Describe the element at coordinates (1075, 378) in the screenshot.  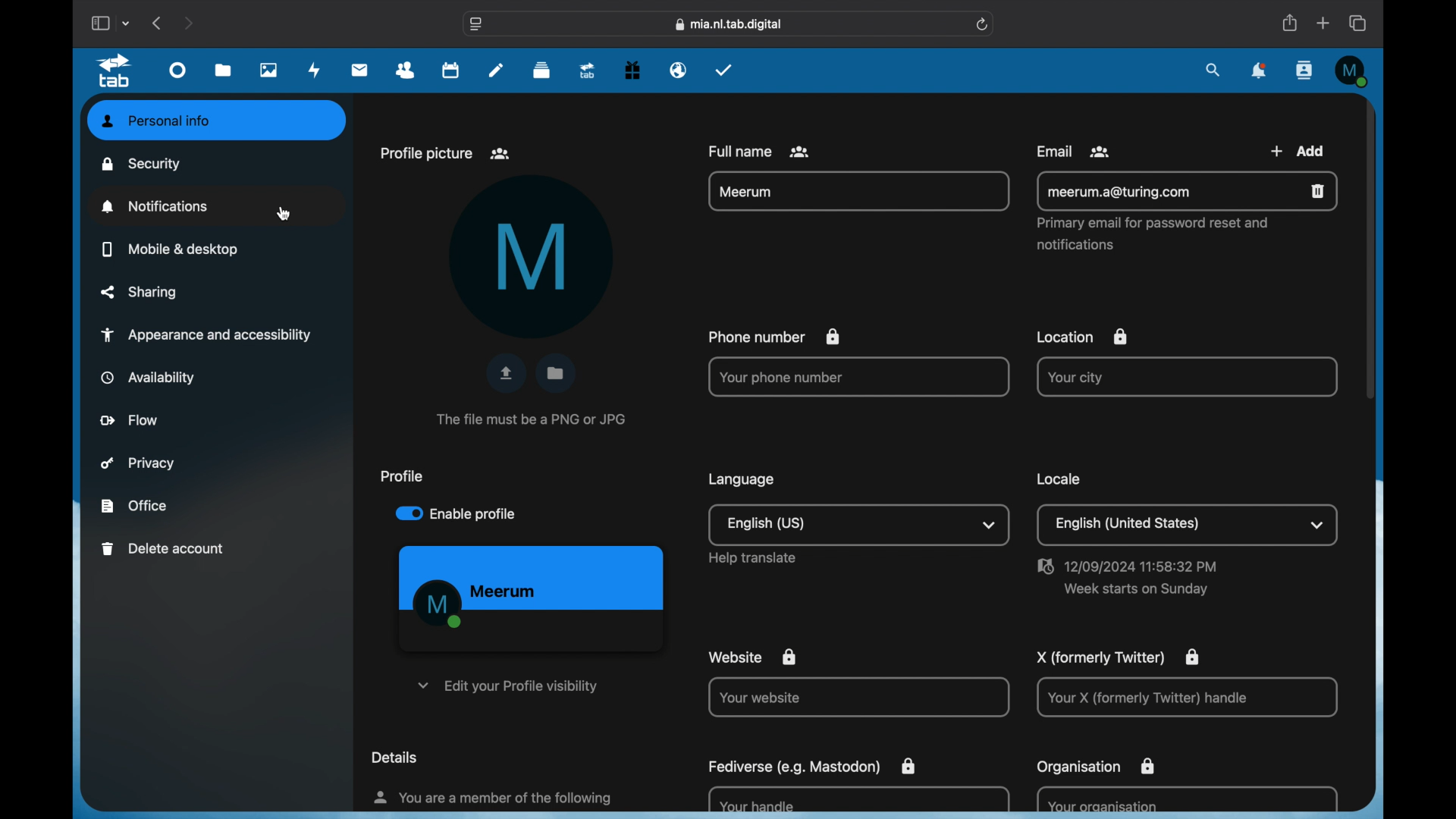
I see `your city` at that location.